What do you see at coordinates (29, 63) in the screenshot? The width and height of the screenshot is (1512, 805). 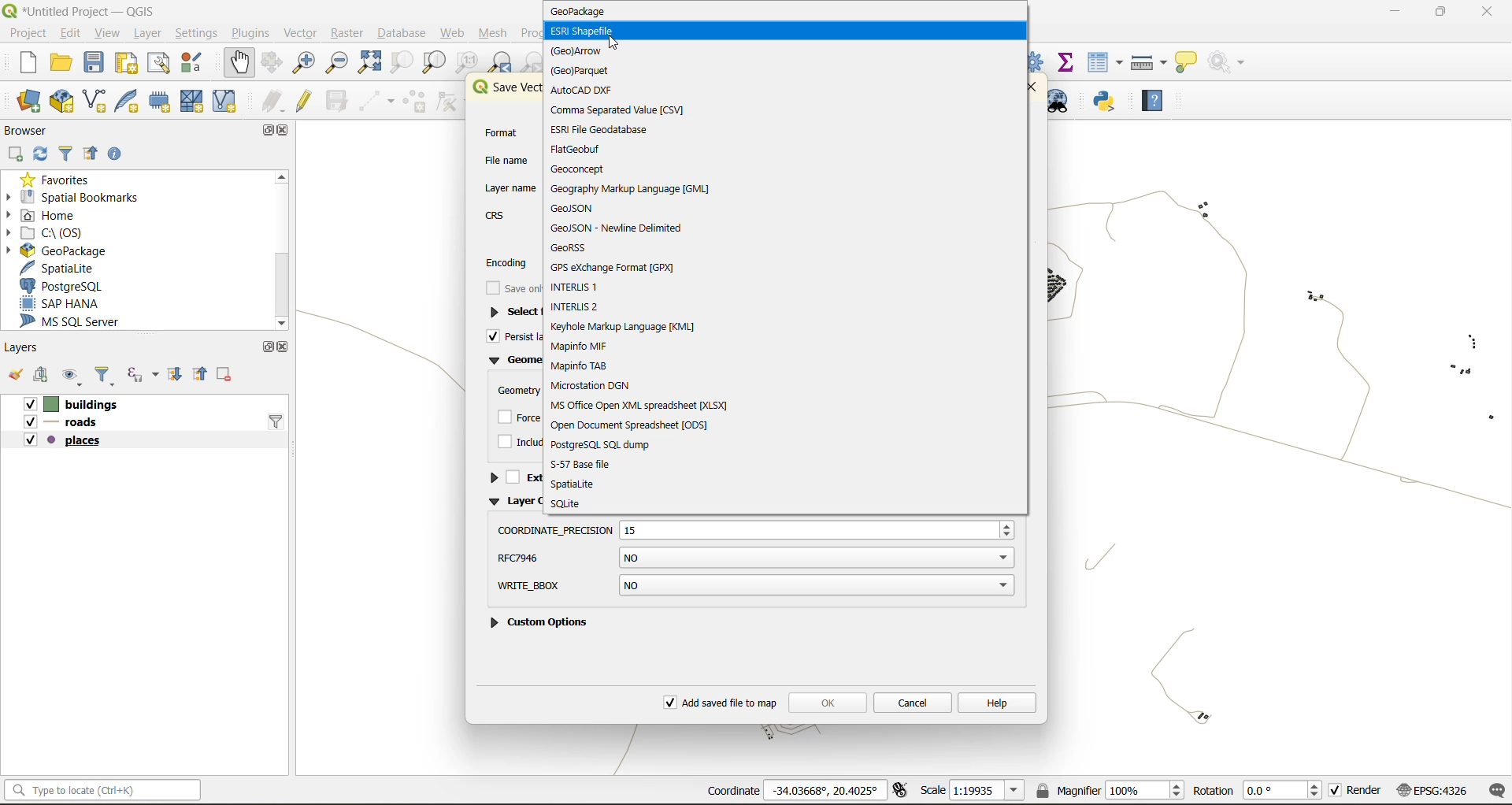 I see `new` at bounding box center [29, 63].